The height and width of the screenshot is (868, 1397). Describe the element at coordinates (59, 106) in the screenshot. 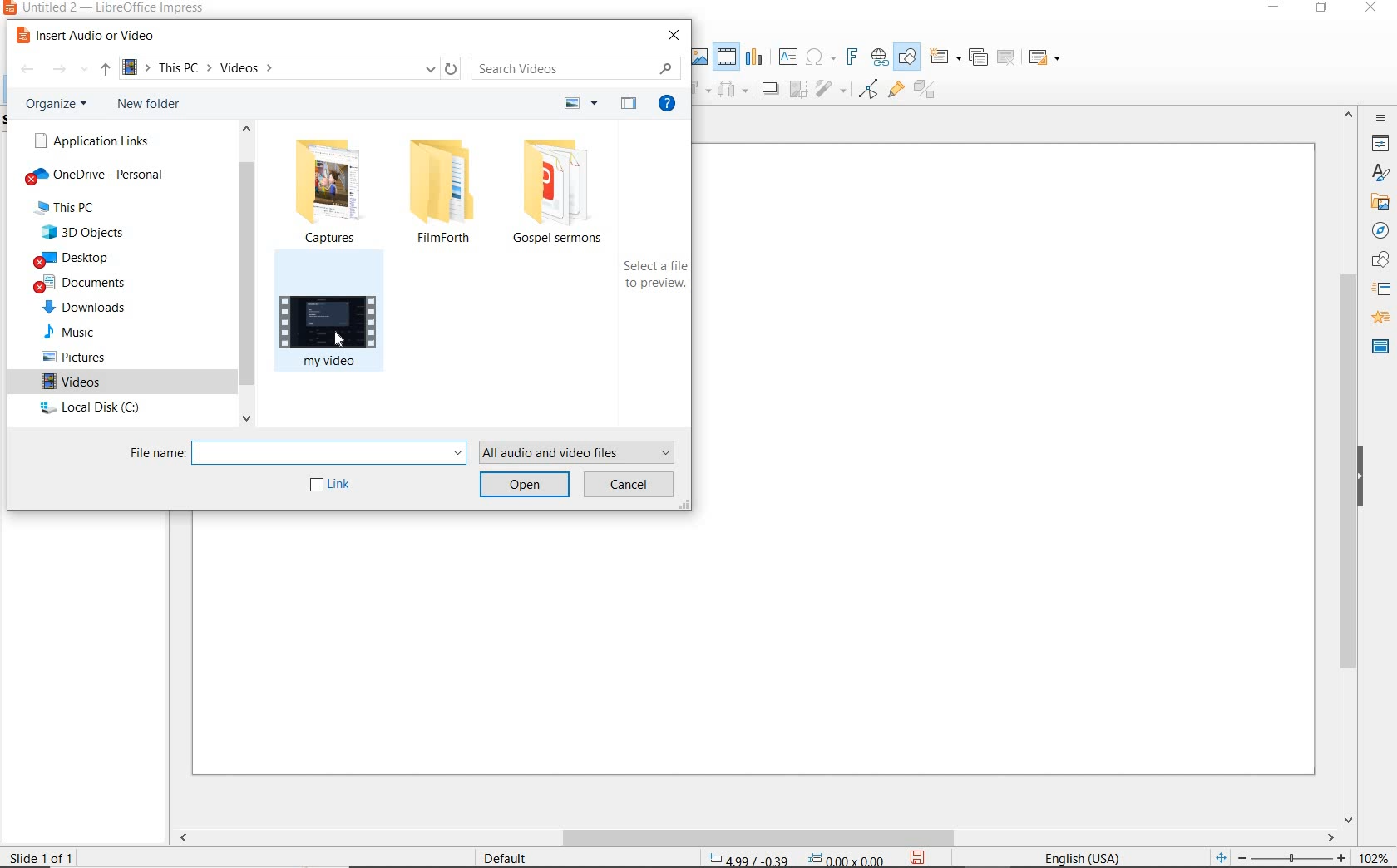

I see `ORGANIZE` at that location.